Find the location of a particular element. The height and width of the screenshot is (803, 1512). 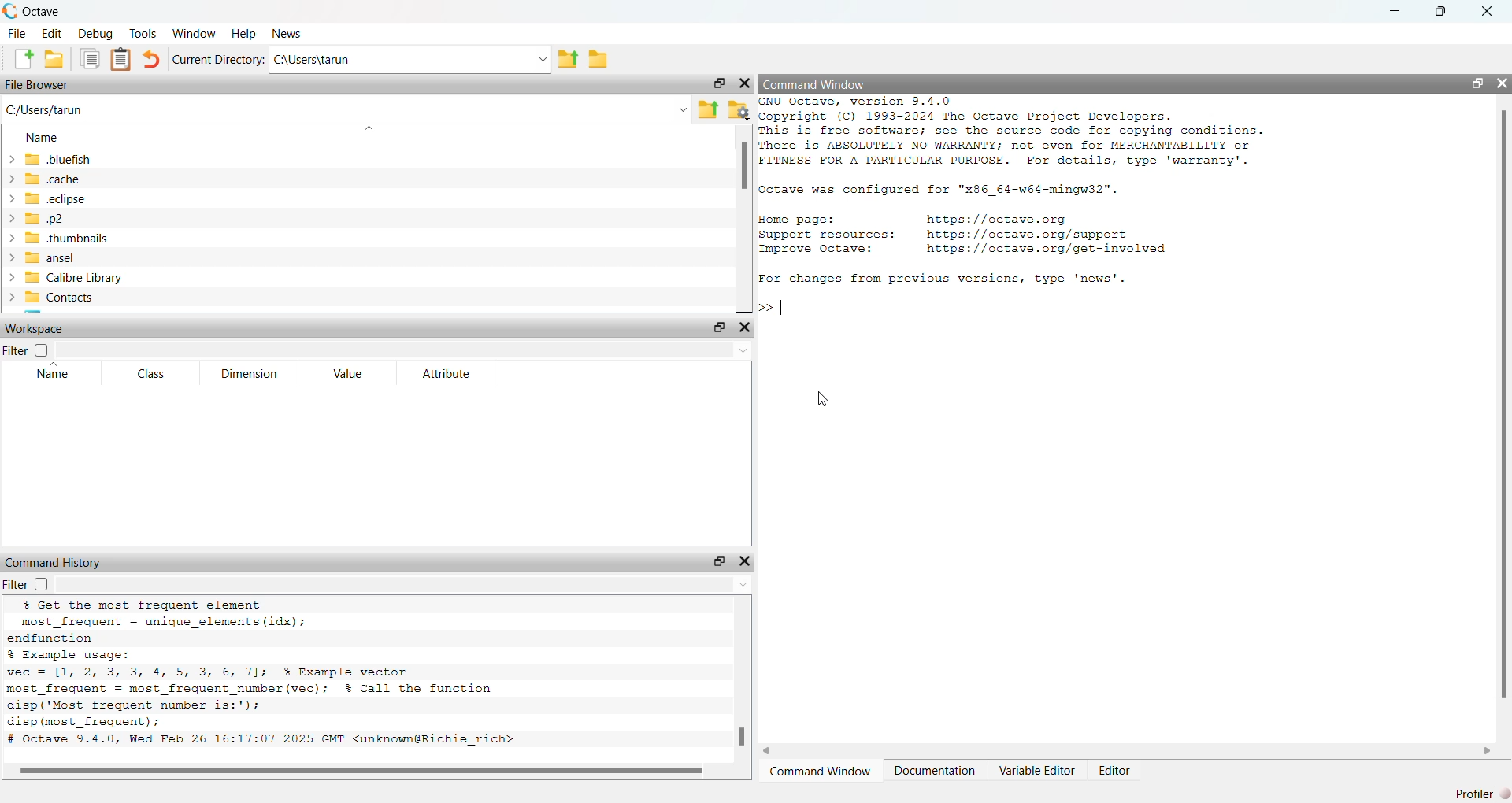

C:/Users/tarun is located at coordinates (44, 110).